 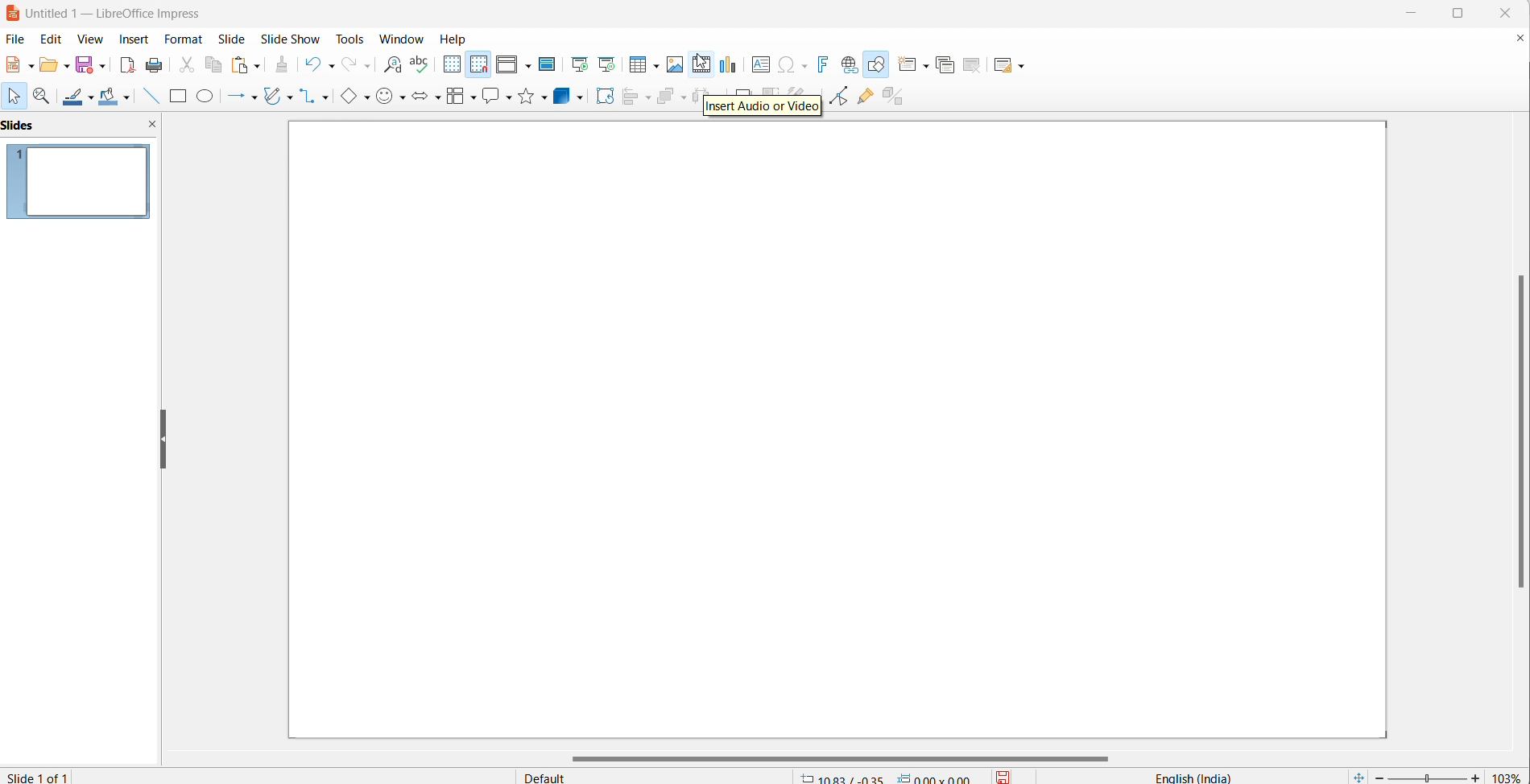 I want to click on new slide options, so click(x=928, y=65).